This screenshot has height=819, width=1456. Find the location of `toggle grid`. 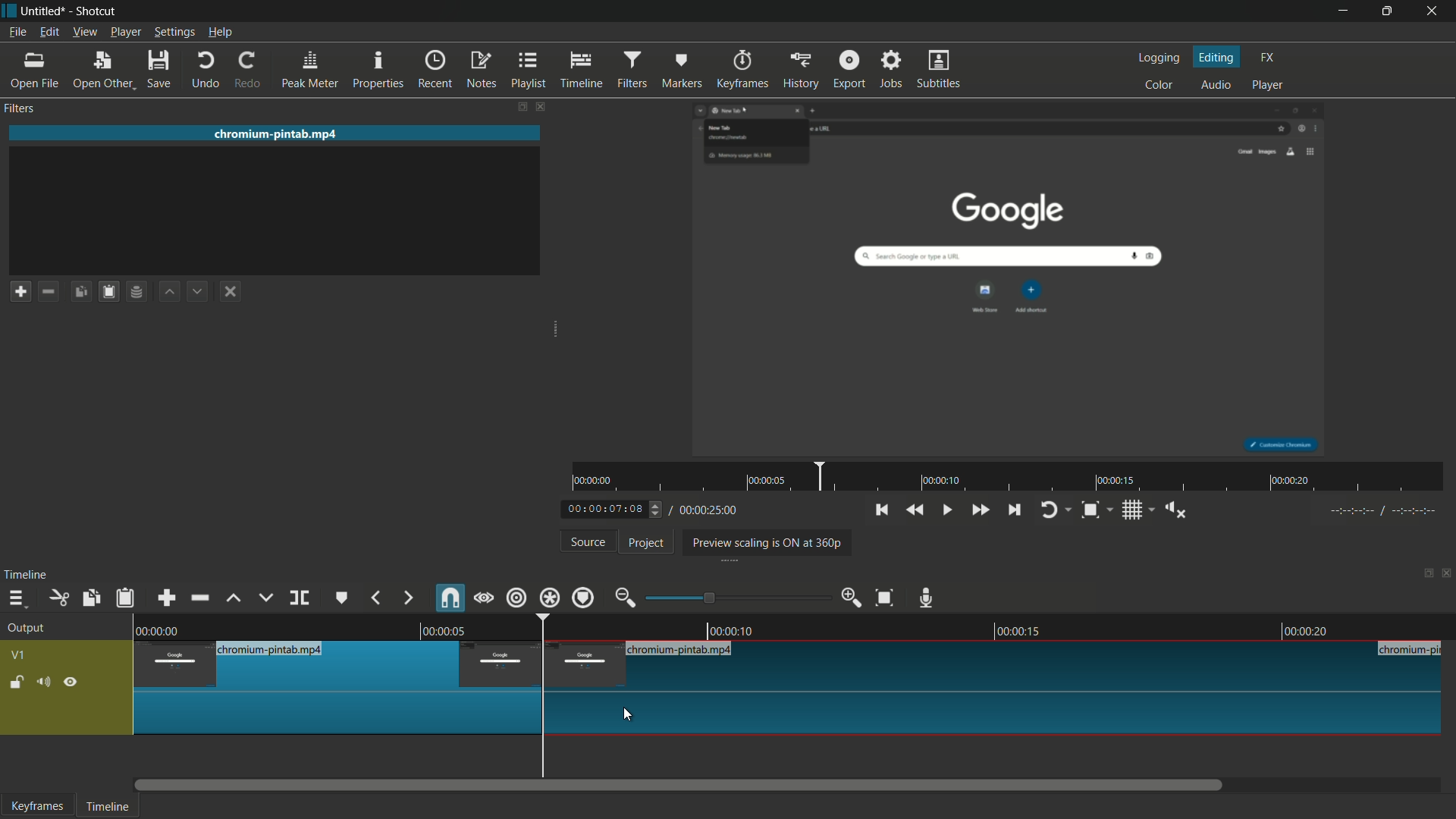

toggle grid is located at coordinates (1134, 510).